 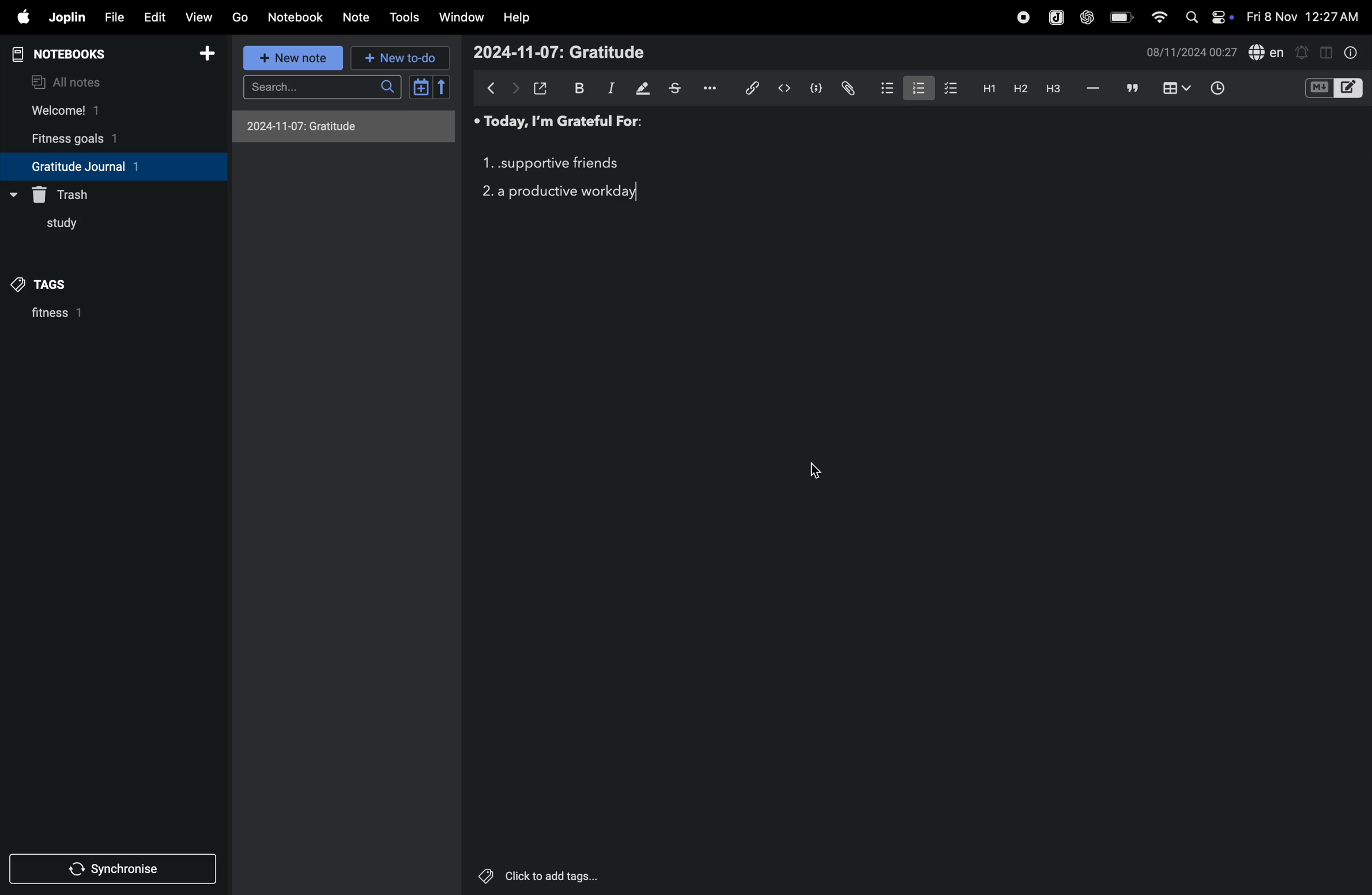 I want to click on note, so click(x=353, y=17).